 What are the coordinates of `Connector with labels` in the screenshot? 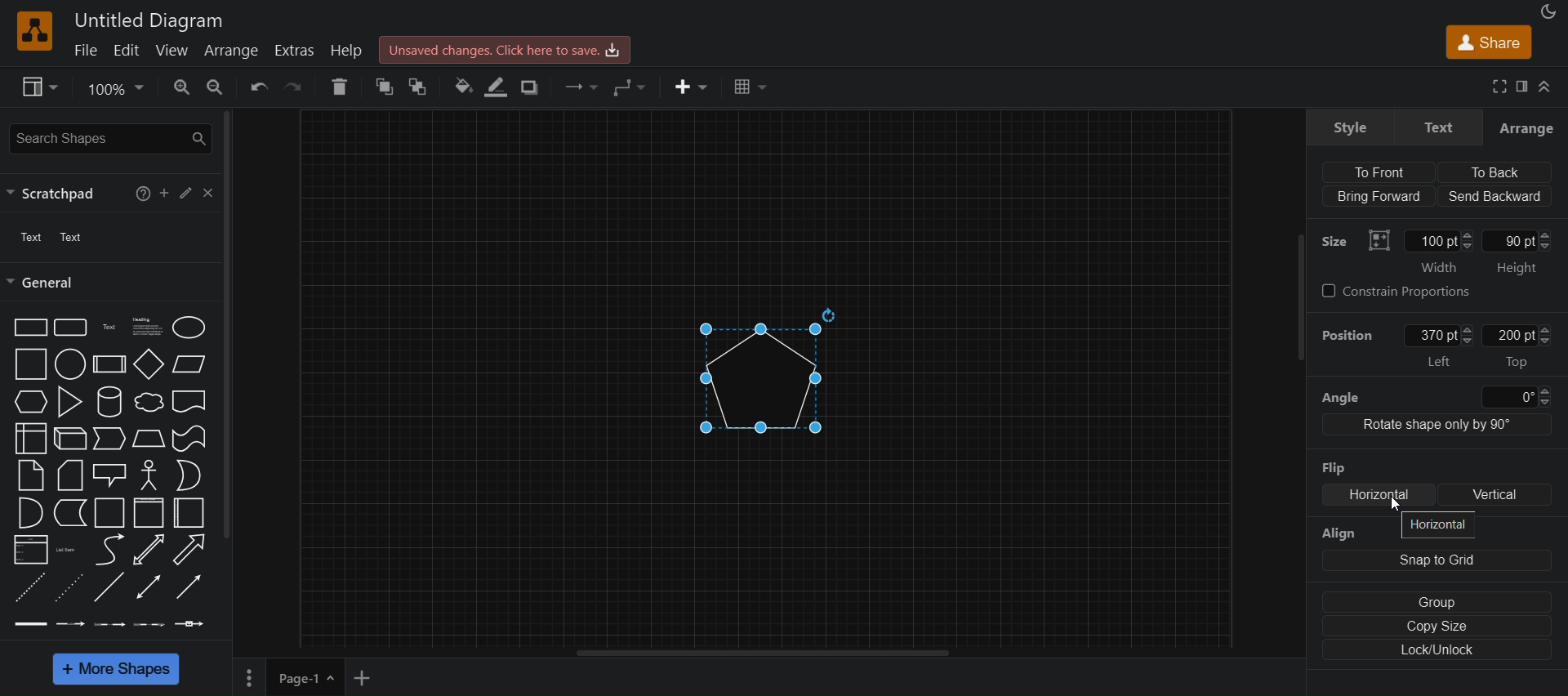 It's located at (69, 624).